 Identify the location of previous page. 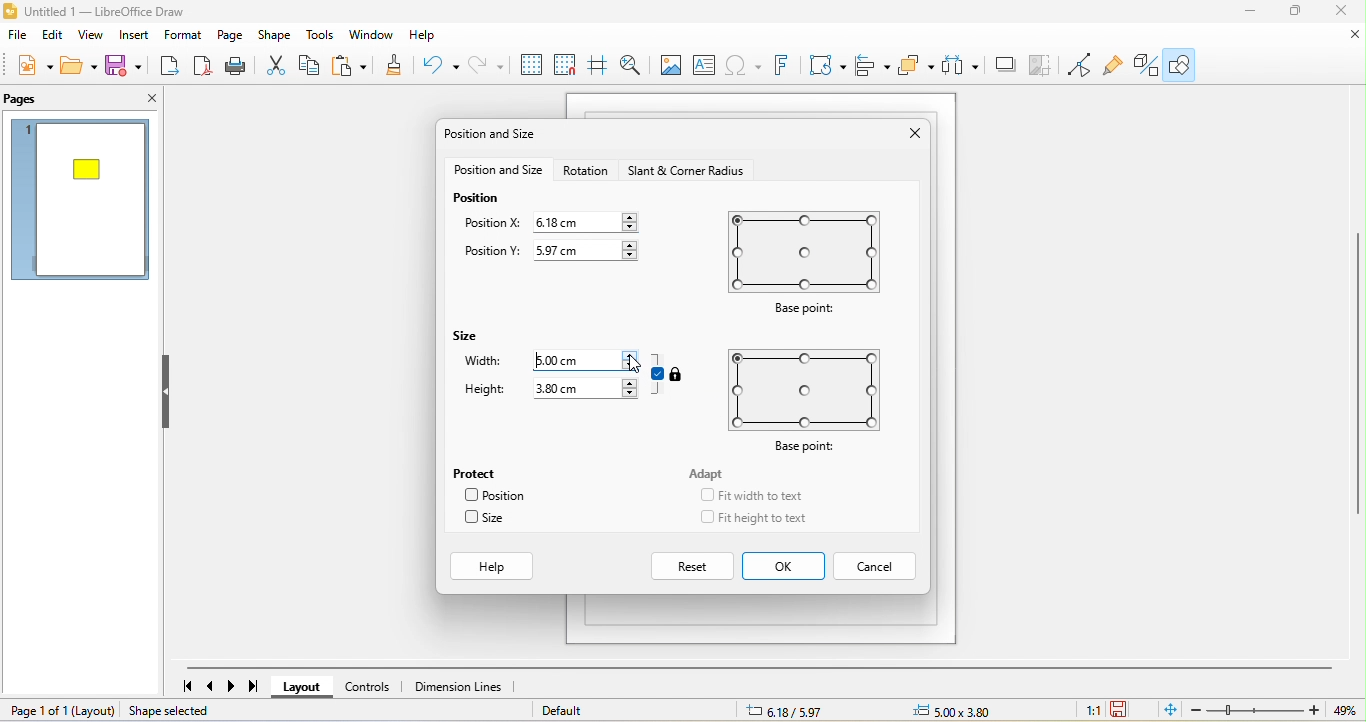
(211, 687).